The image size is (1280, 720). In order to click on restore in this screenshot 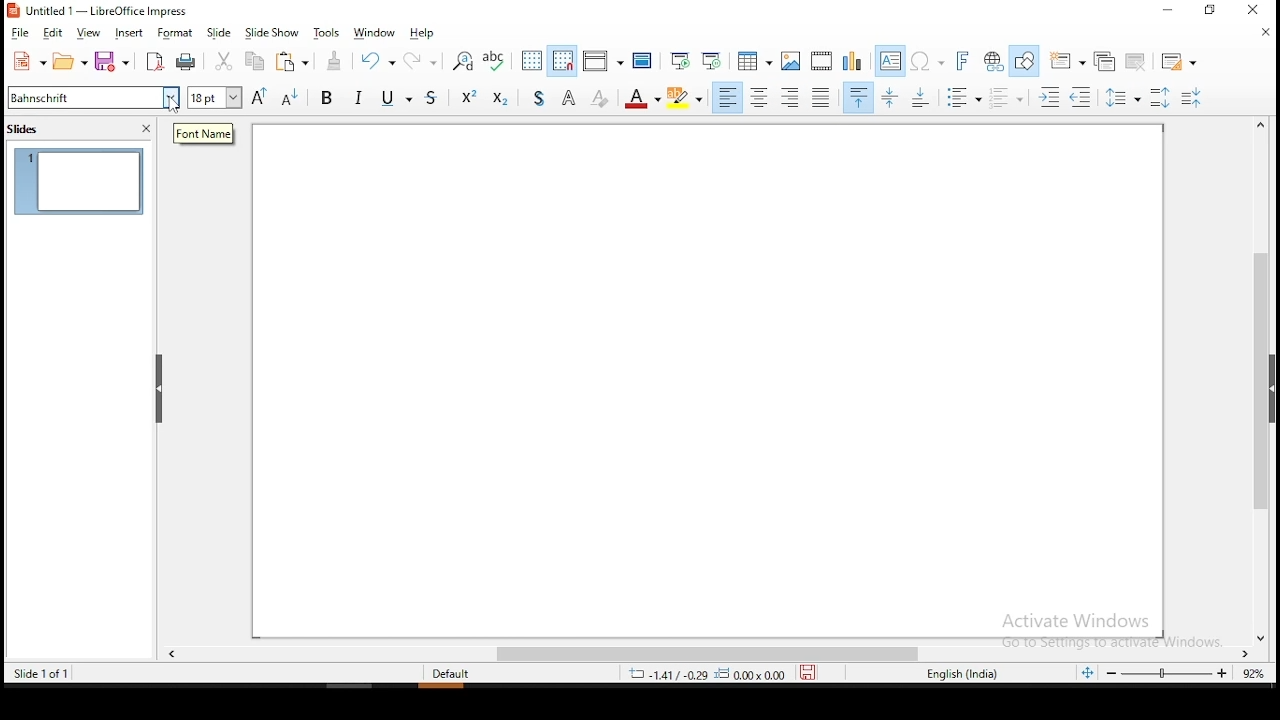, I will do `click(1207, 11)`.